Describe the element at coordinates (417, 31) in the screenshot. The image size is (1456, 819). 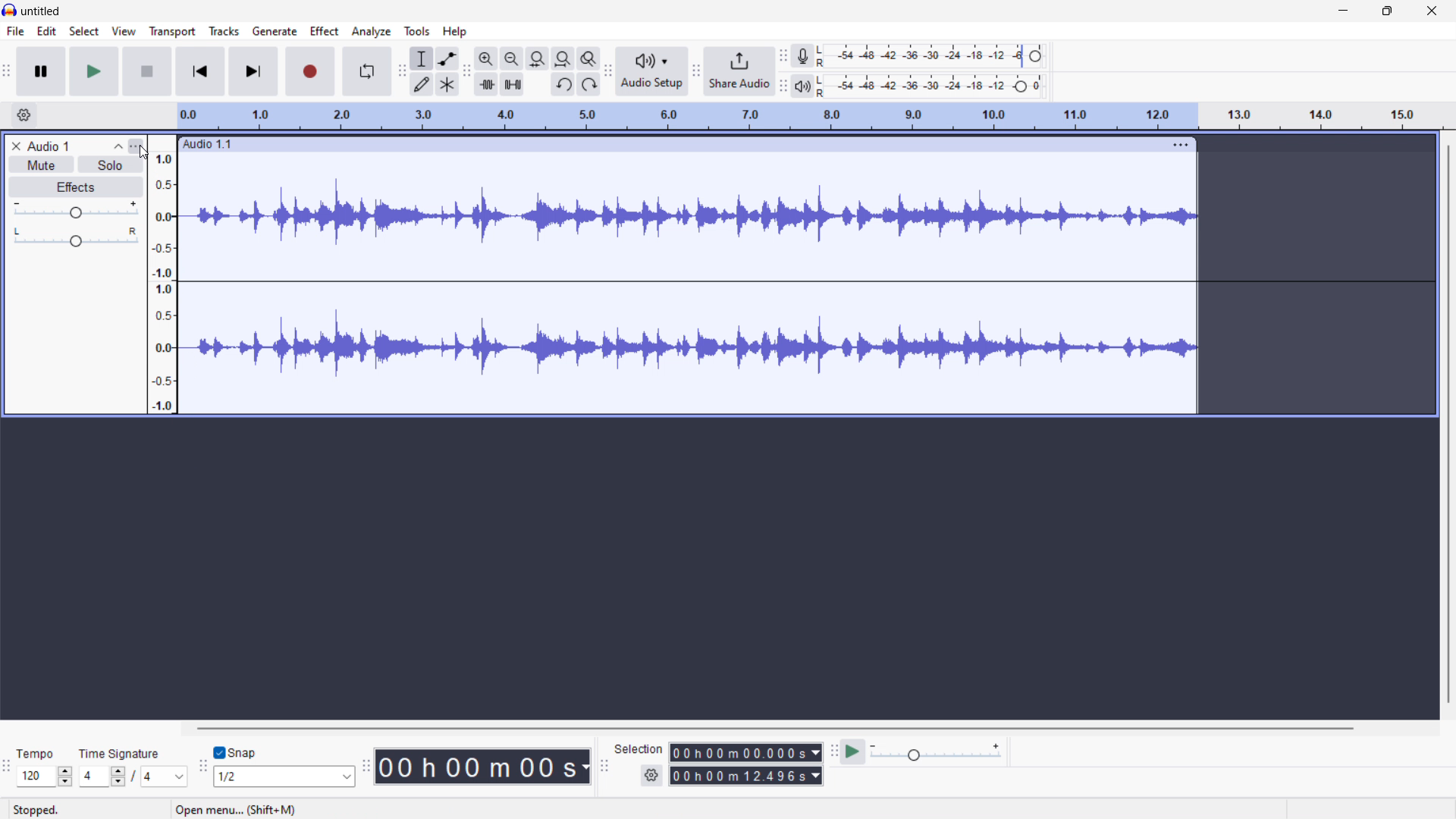
I see `tools` at that location.